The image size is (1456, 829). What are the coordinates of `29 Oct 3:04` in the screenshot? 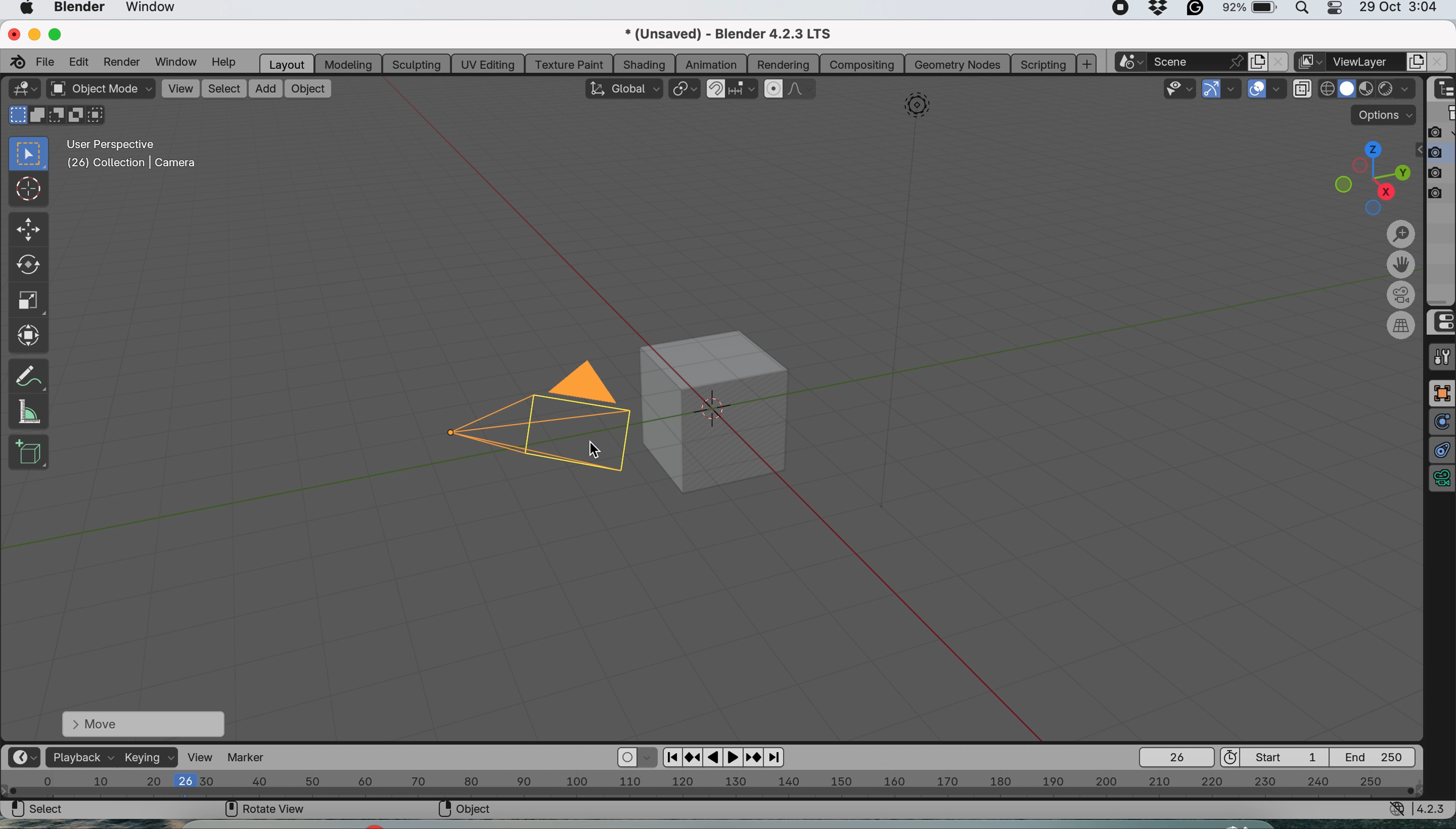 It's located at (1398, 8).